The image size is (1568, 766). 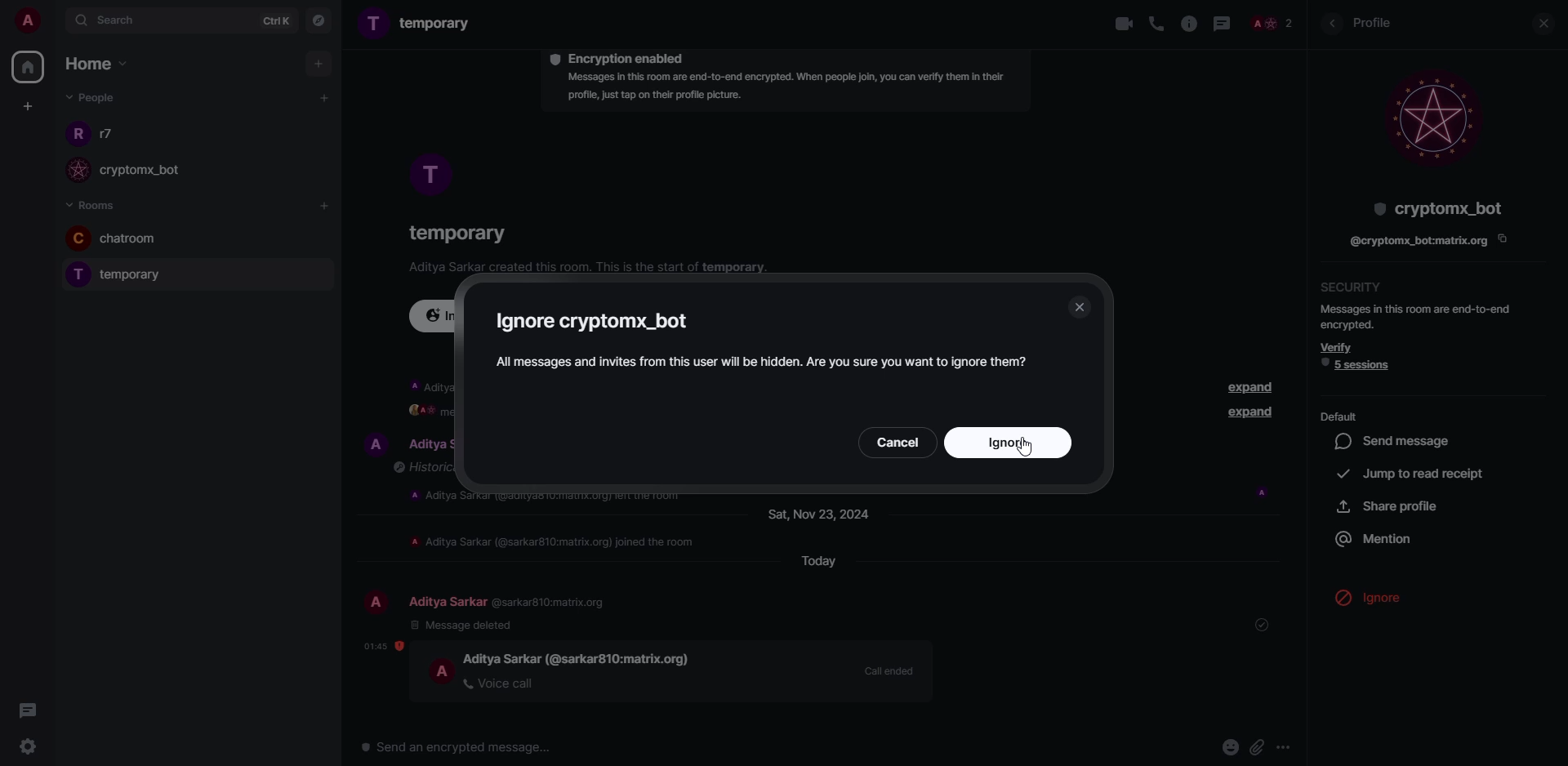 What do you see at coordinates (1331, 24) in the screenshot?
I see `back` at bounding box center [1331, 24].